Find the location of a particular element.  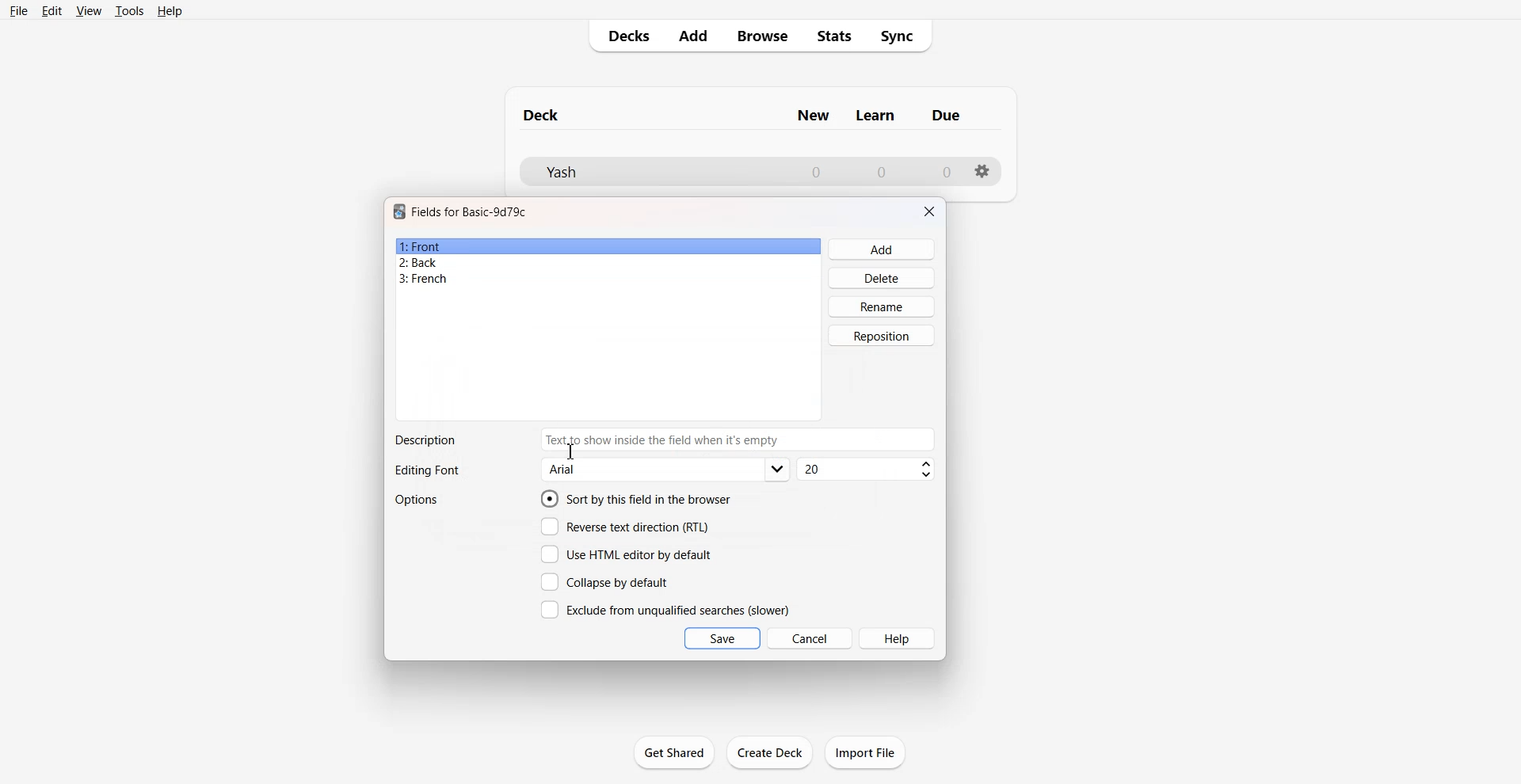

Delete is located at coordinates (882, 277).